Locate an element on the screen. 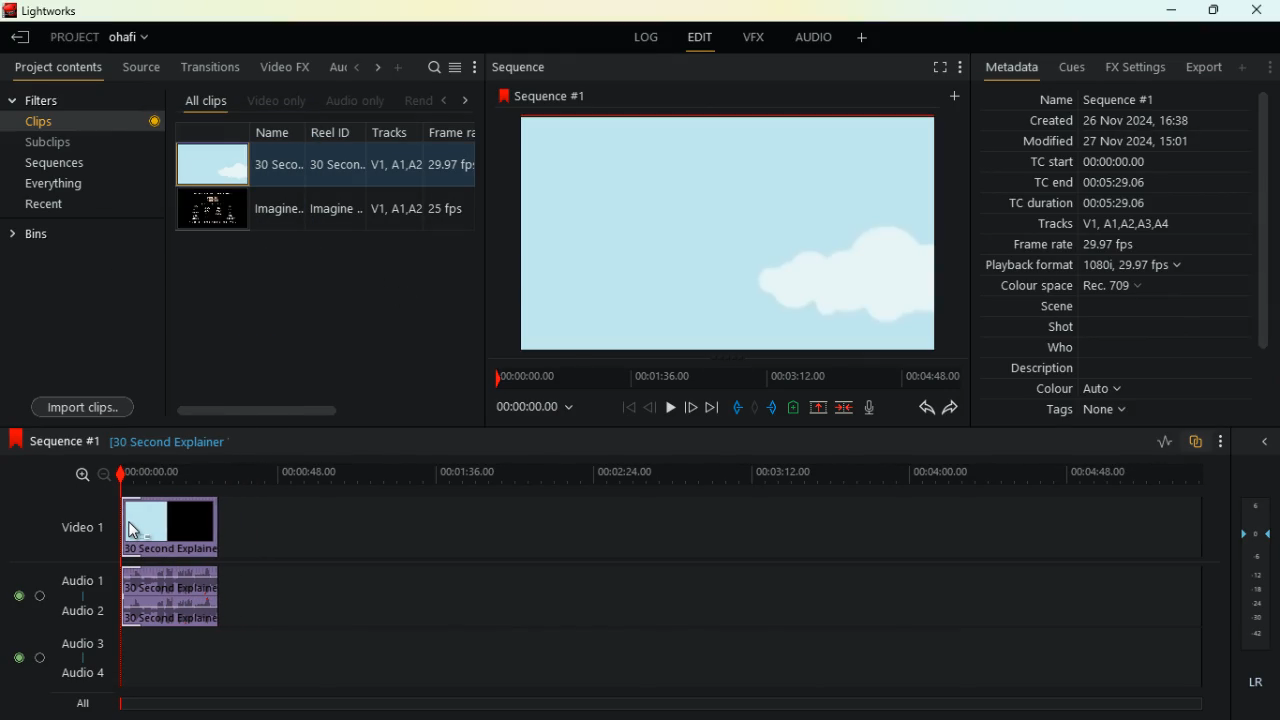  import clips is located at coordinates (83, 405).